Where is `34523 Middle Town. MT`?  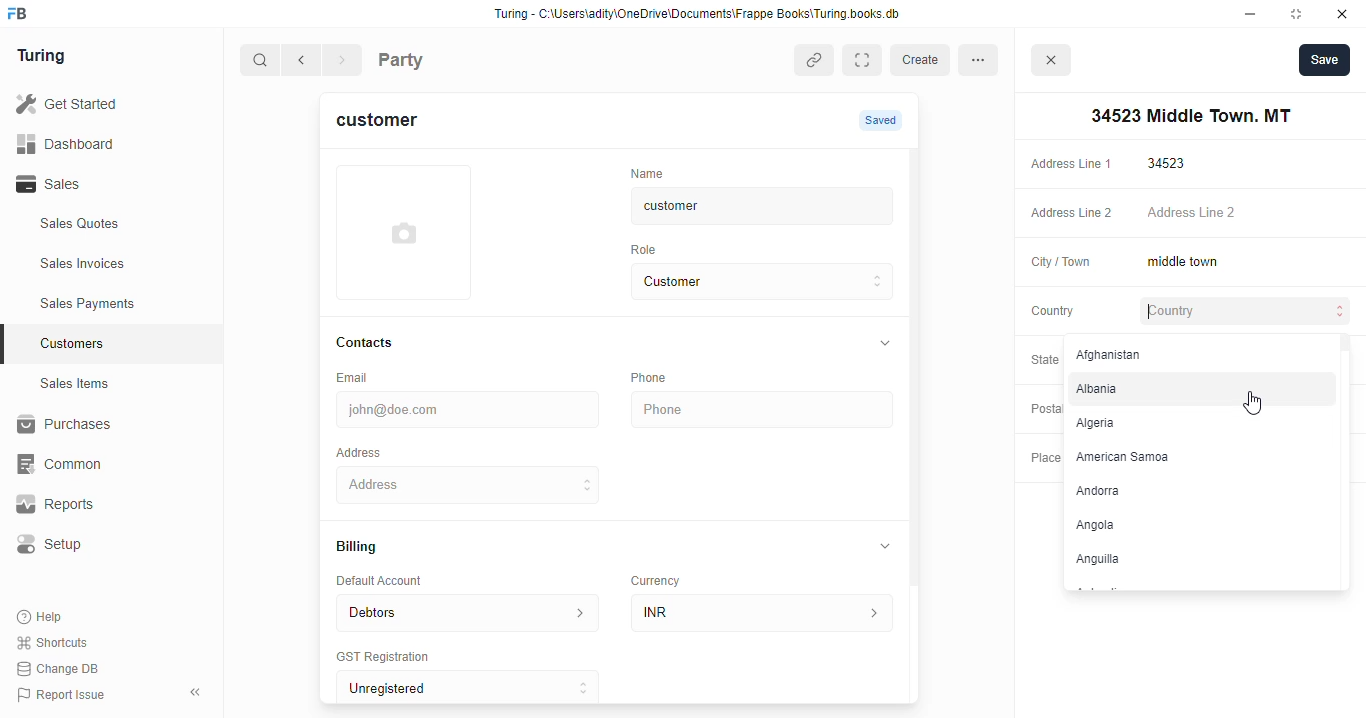 34523 Middle Town. MT is located at coordinates (1187, 116).